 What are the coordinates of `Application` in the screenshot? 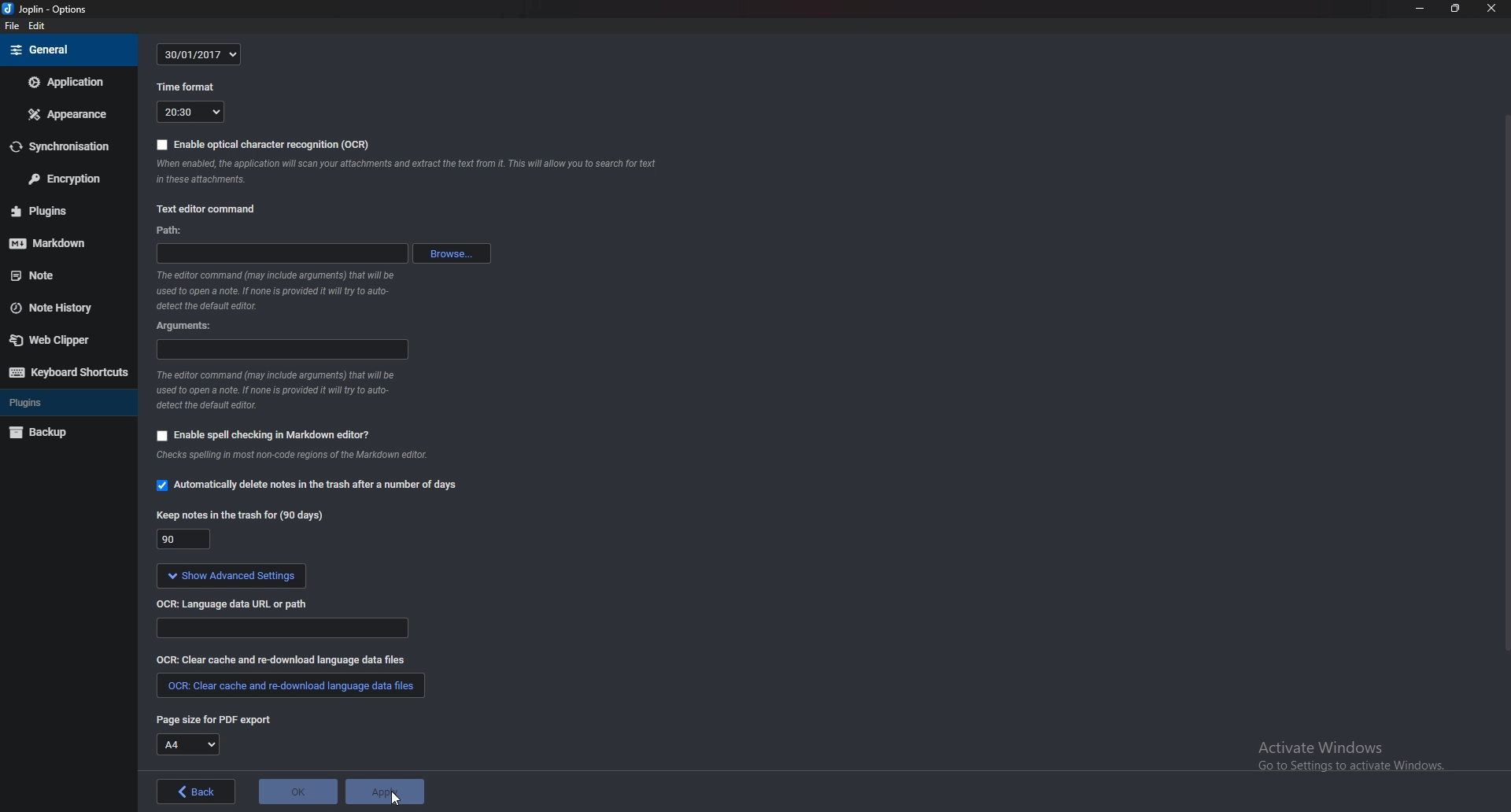 It's located at (68, 83).